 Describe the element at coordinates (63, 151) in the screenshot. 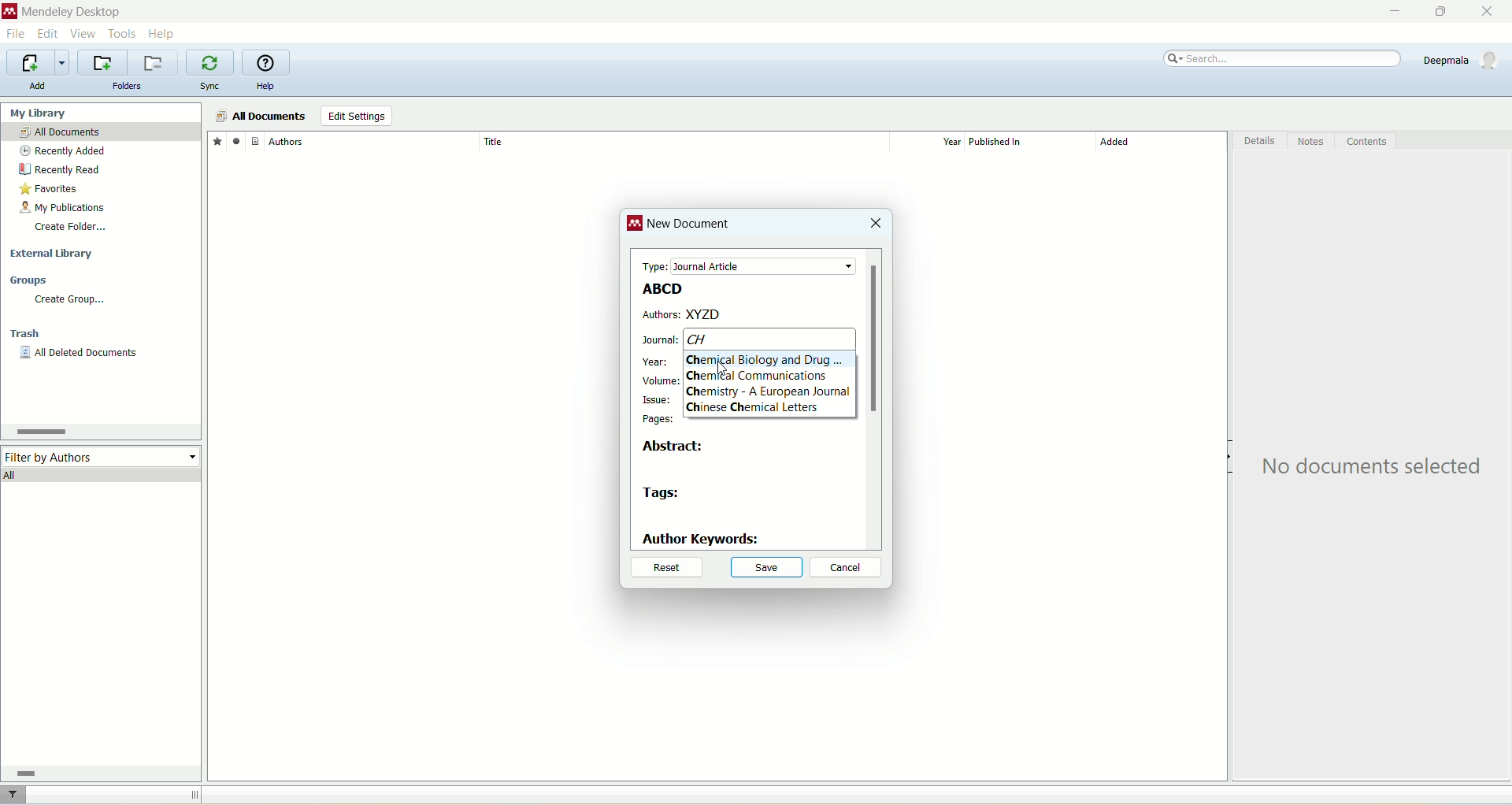

I see `recently added` at that location.